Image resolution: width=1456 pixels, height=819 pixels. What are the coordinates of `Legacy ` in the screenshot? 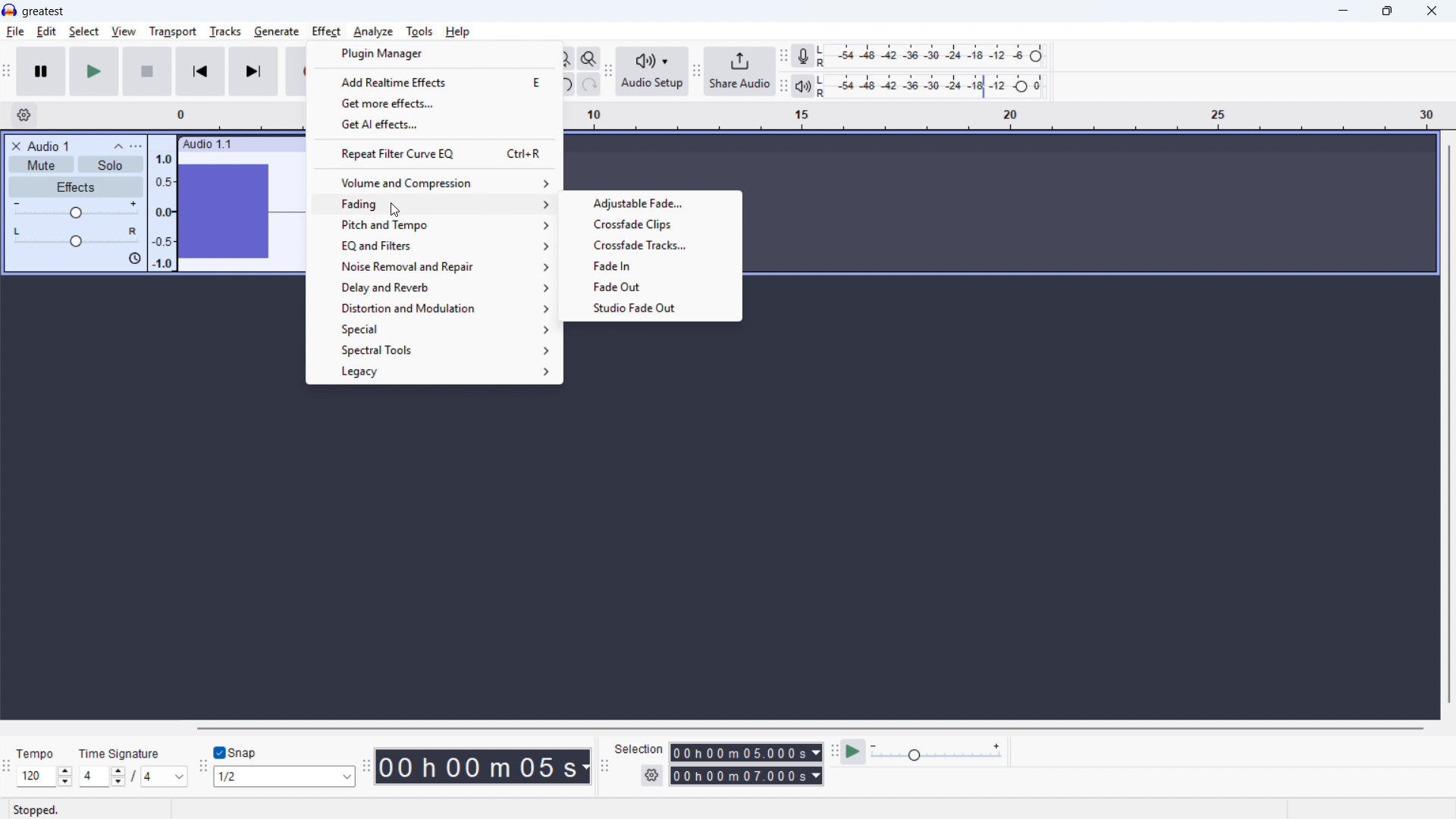 It's located at (435, 373).